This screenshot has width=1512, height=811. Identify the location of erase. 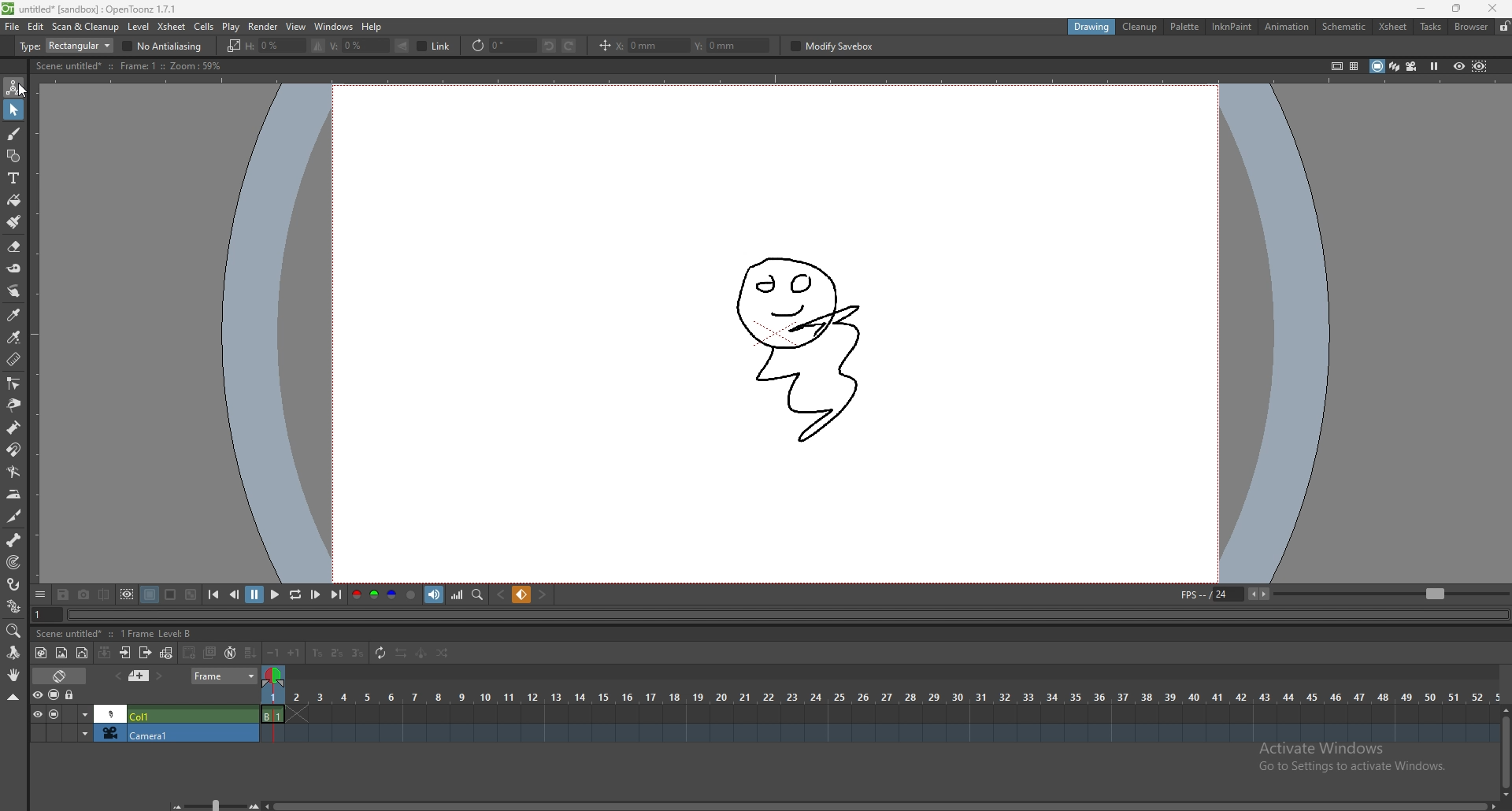
(14, 247).